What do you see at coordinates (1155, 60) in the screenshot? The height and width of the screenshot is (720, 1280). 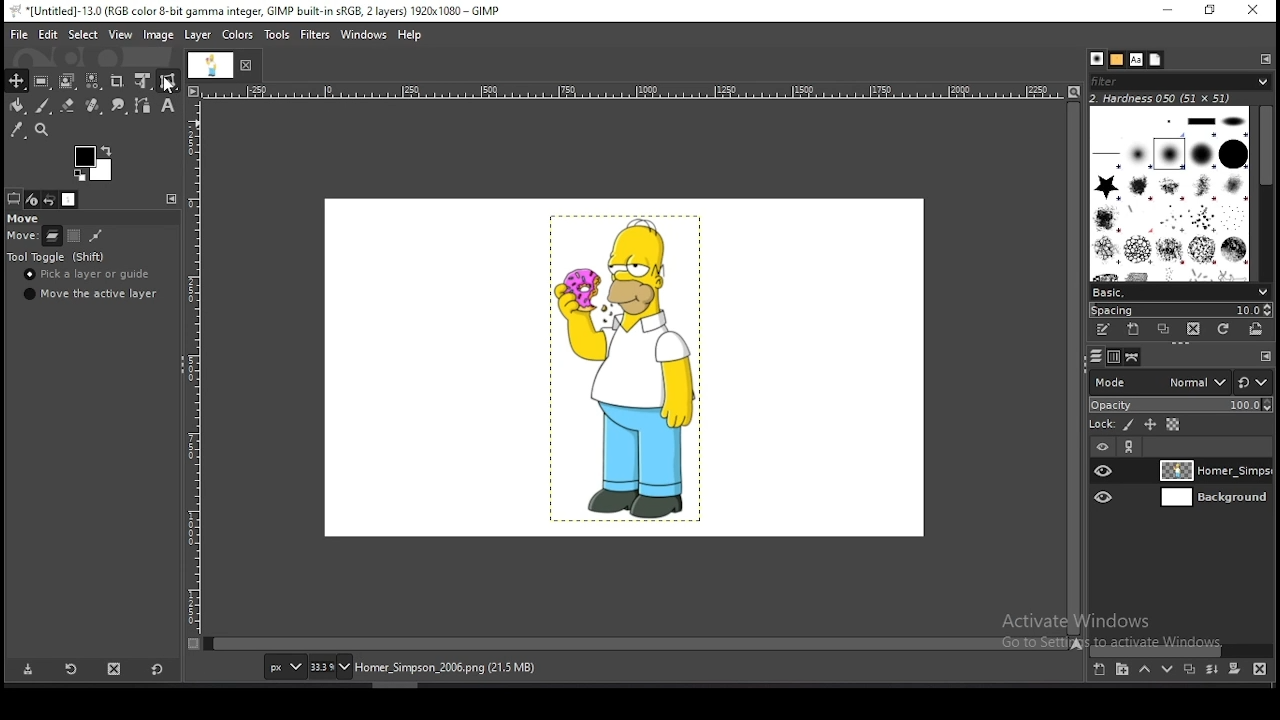 I see `document history` at bounding box center [1155, 60].